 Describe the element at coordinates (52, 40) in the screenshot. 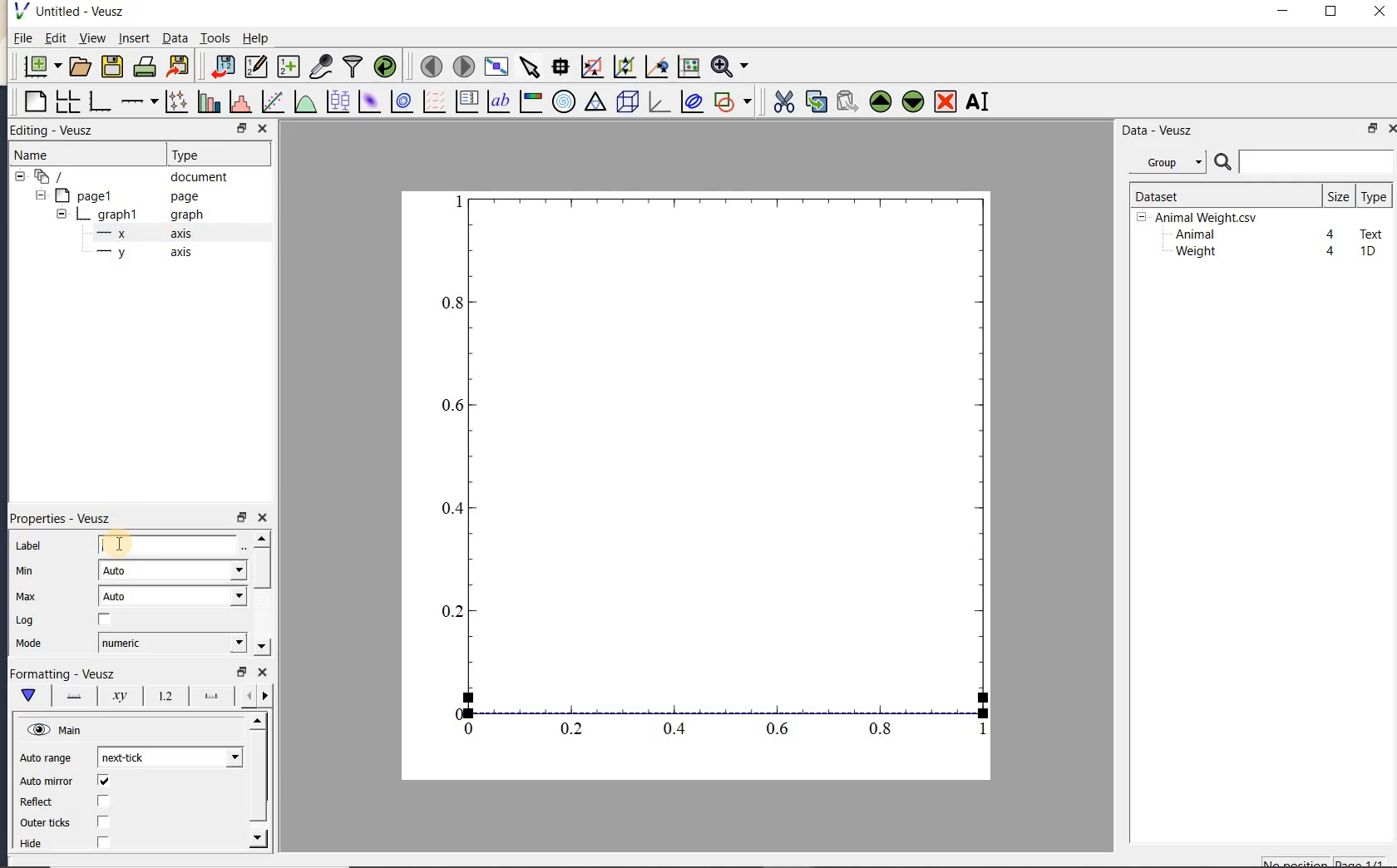

I see `Edit` at that location.